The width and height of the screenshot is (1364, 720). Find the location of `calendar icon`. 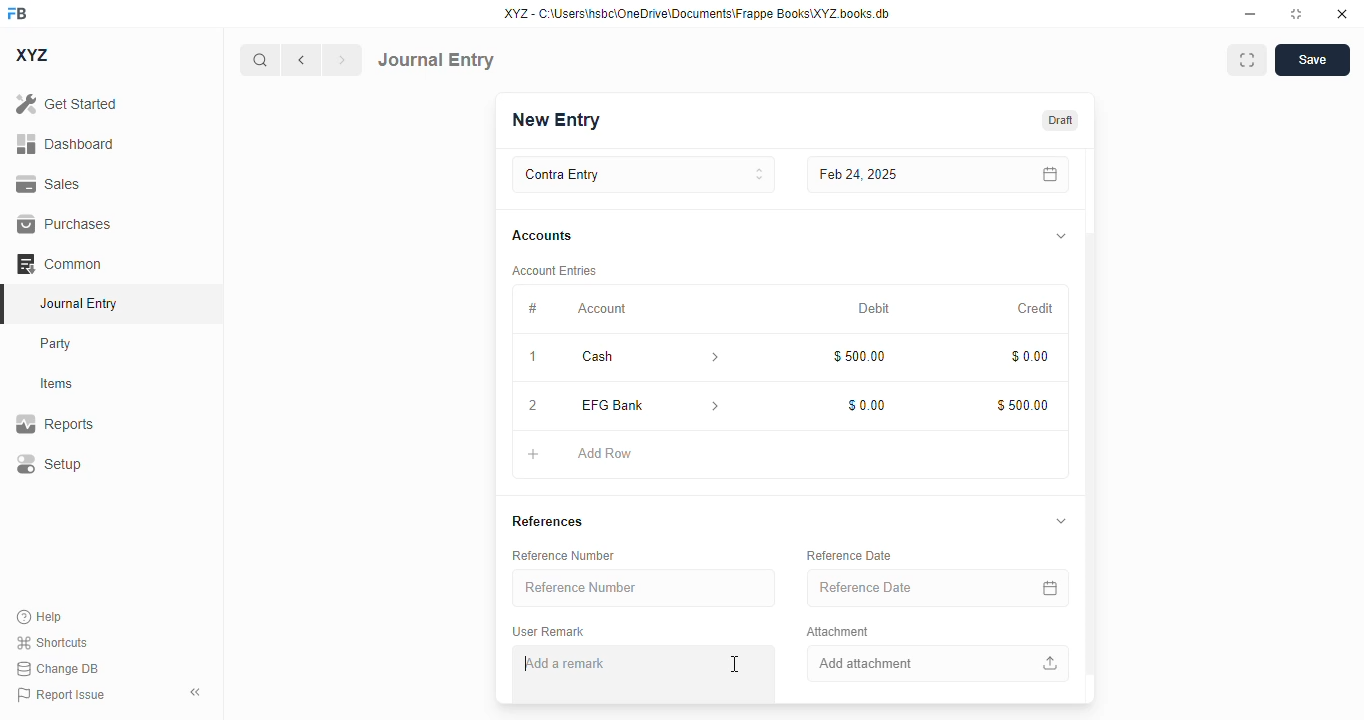

calendar icon is located at coordinates (1047, 588).